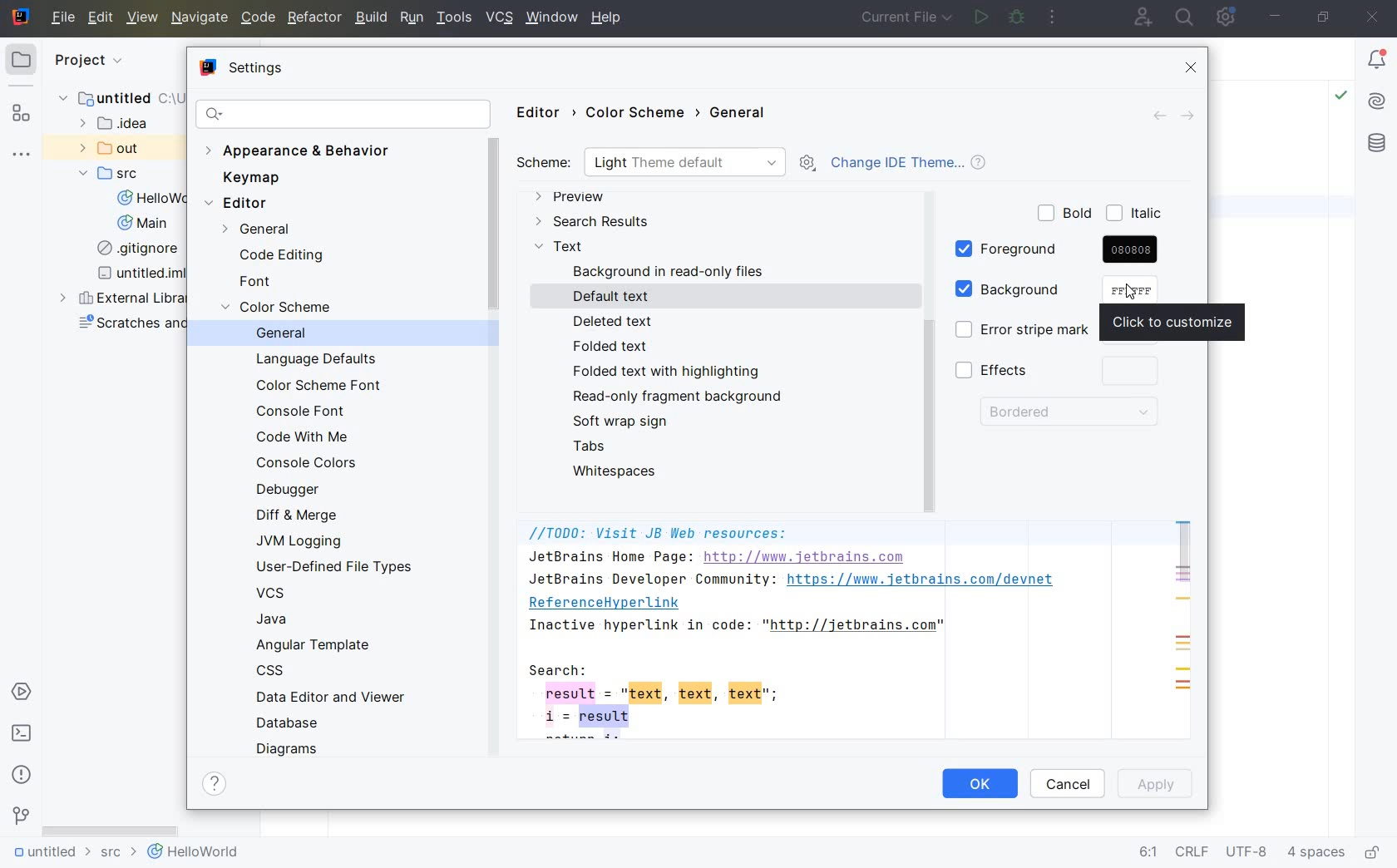 This screenshot has width=1397, height=868. What do you see at coordinates (544, 113) in the screenshot?
I see `EDITOR` at bounding box center [544, 113].